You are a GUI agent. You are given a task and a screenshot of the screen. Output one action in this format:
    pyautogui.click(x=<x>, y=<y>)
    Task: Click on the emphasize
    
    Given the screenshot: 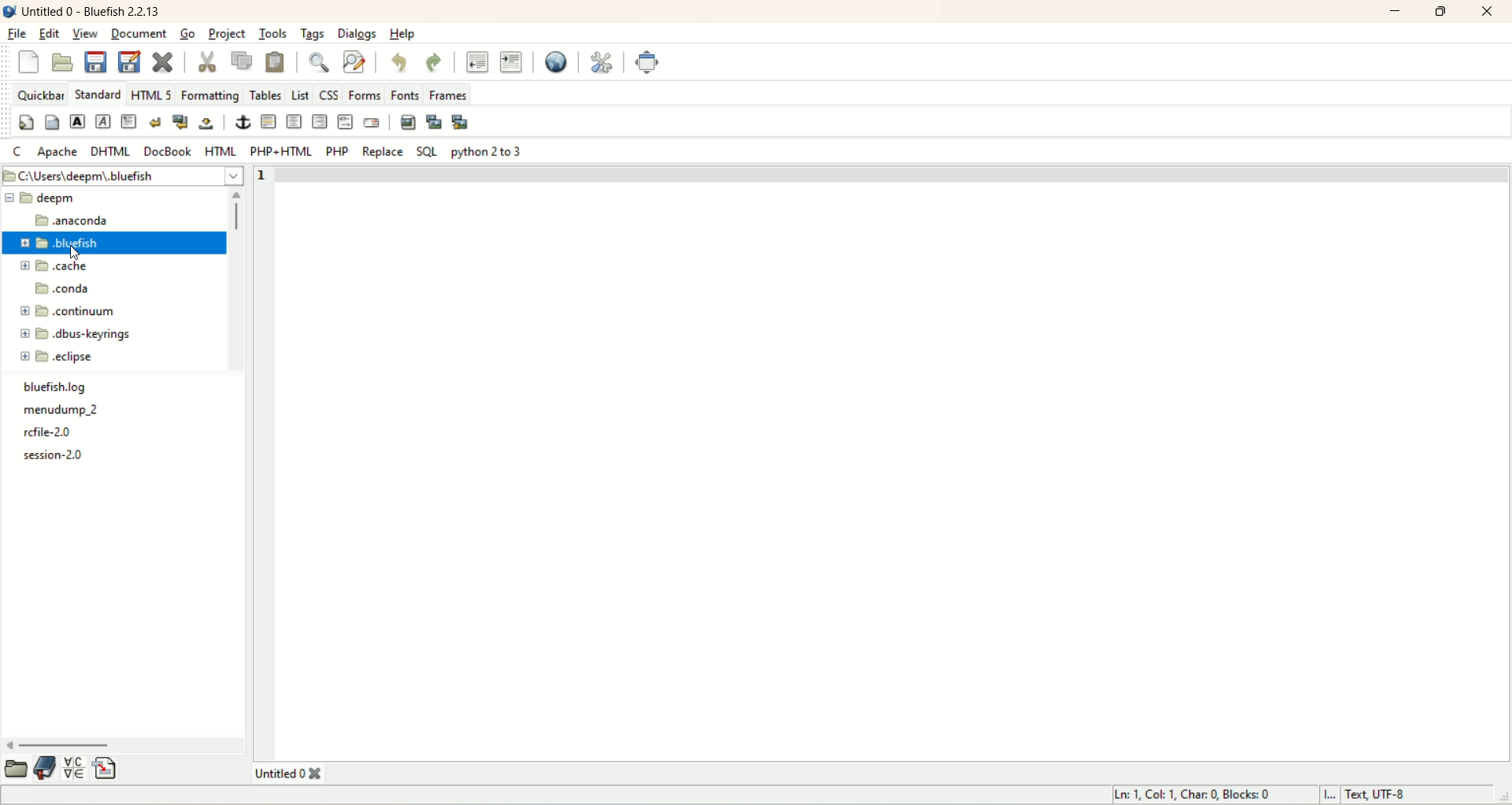 What is the action you would take?
    pyautogui.click(x=104, y=121)
    